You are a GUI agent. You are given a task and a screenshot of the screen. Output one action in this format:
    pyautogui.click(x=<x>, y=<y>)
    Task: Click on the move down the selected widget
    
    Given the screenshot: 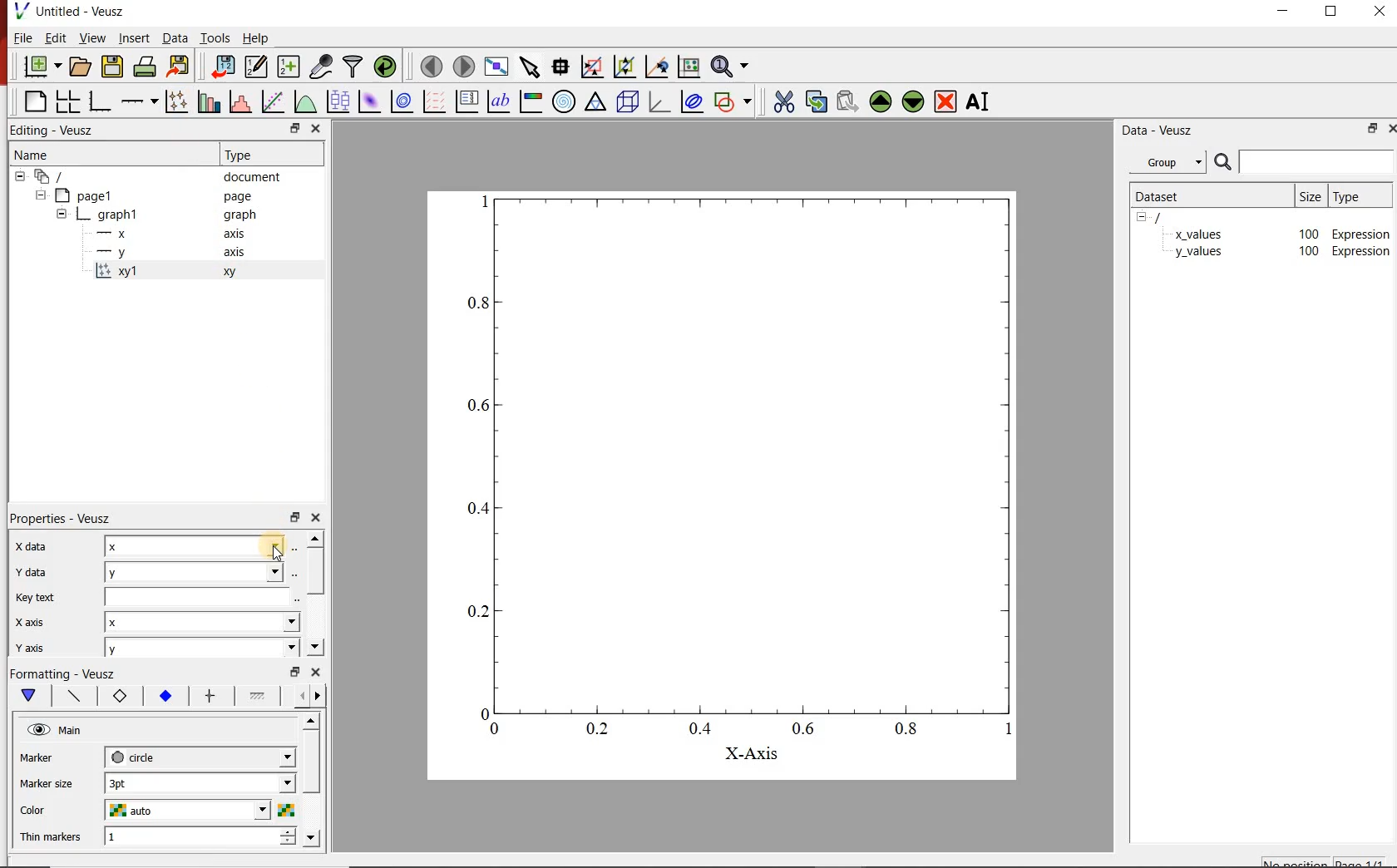 What is the action you would take?
    pyautogui.click(x=913, y=104)
    